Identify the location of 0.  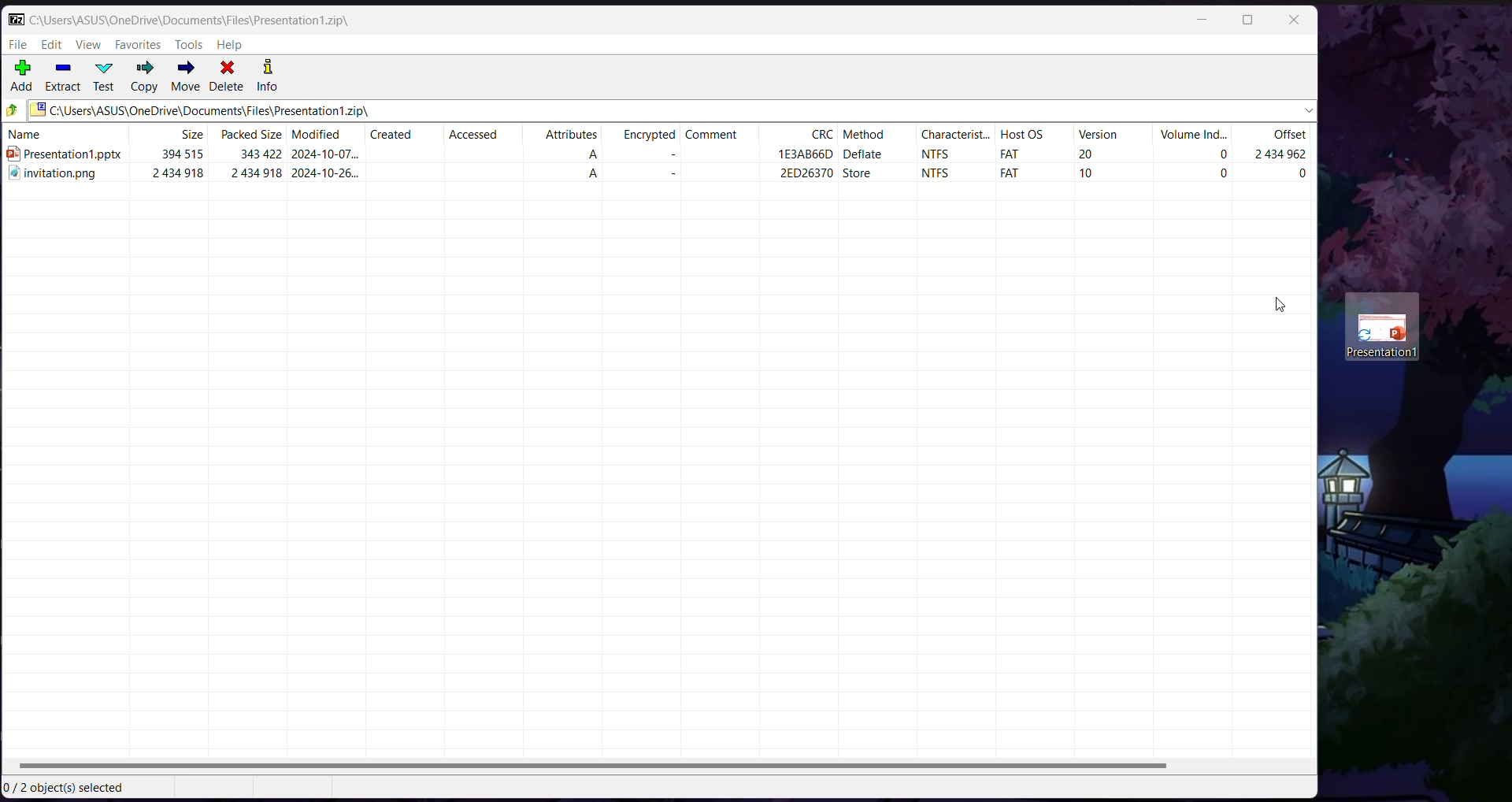
(1301, 176).